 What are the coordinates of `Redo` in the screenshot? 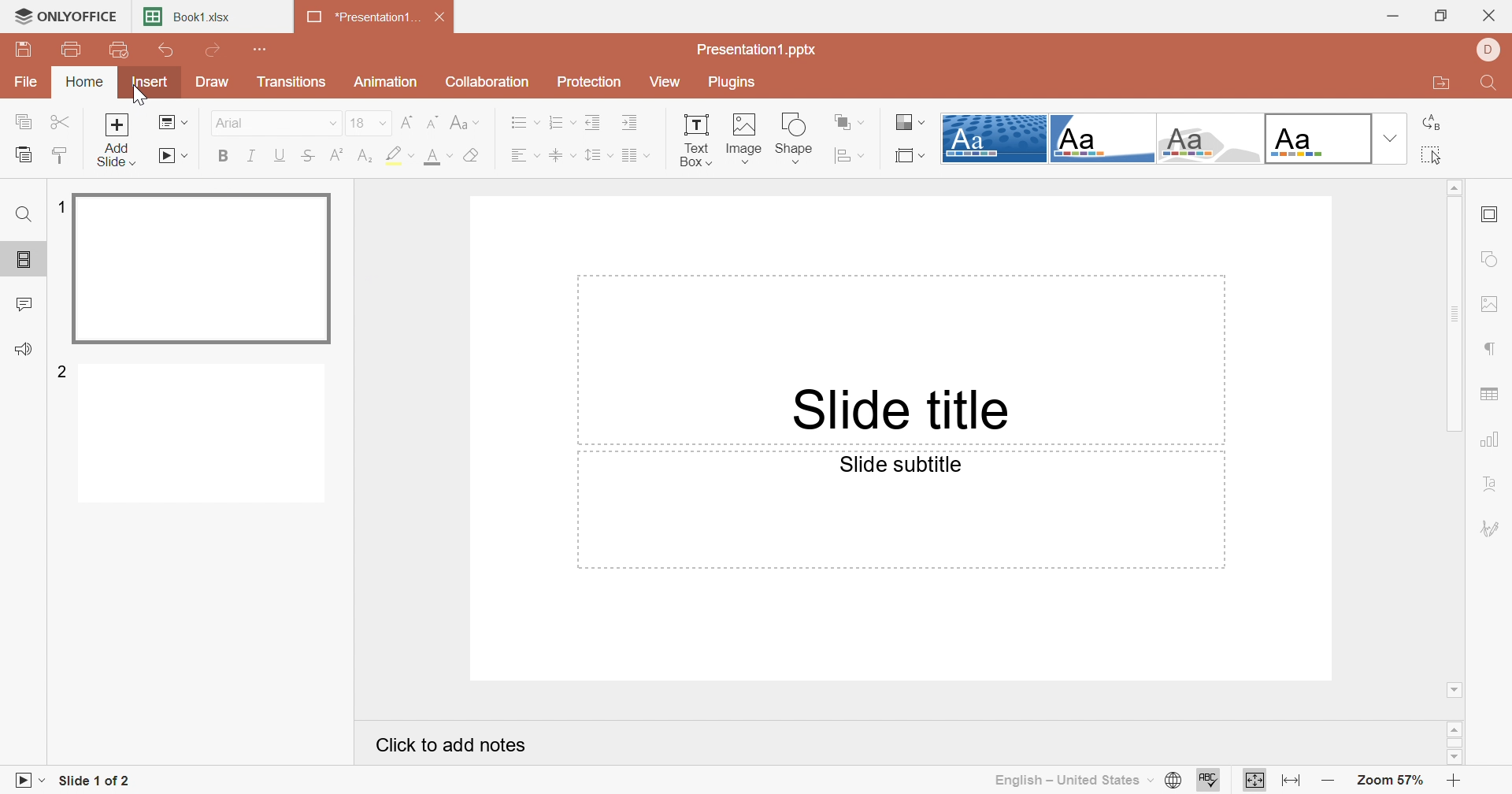 It's located at (216, 52).